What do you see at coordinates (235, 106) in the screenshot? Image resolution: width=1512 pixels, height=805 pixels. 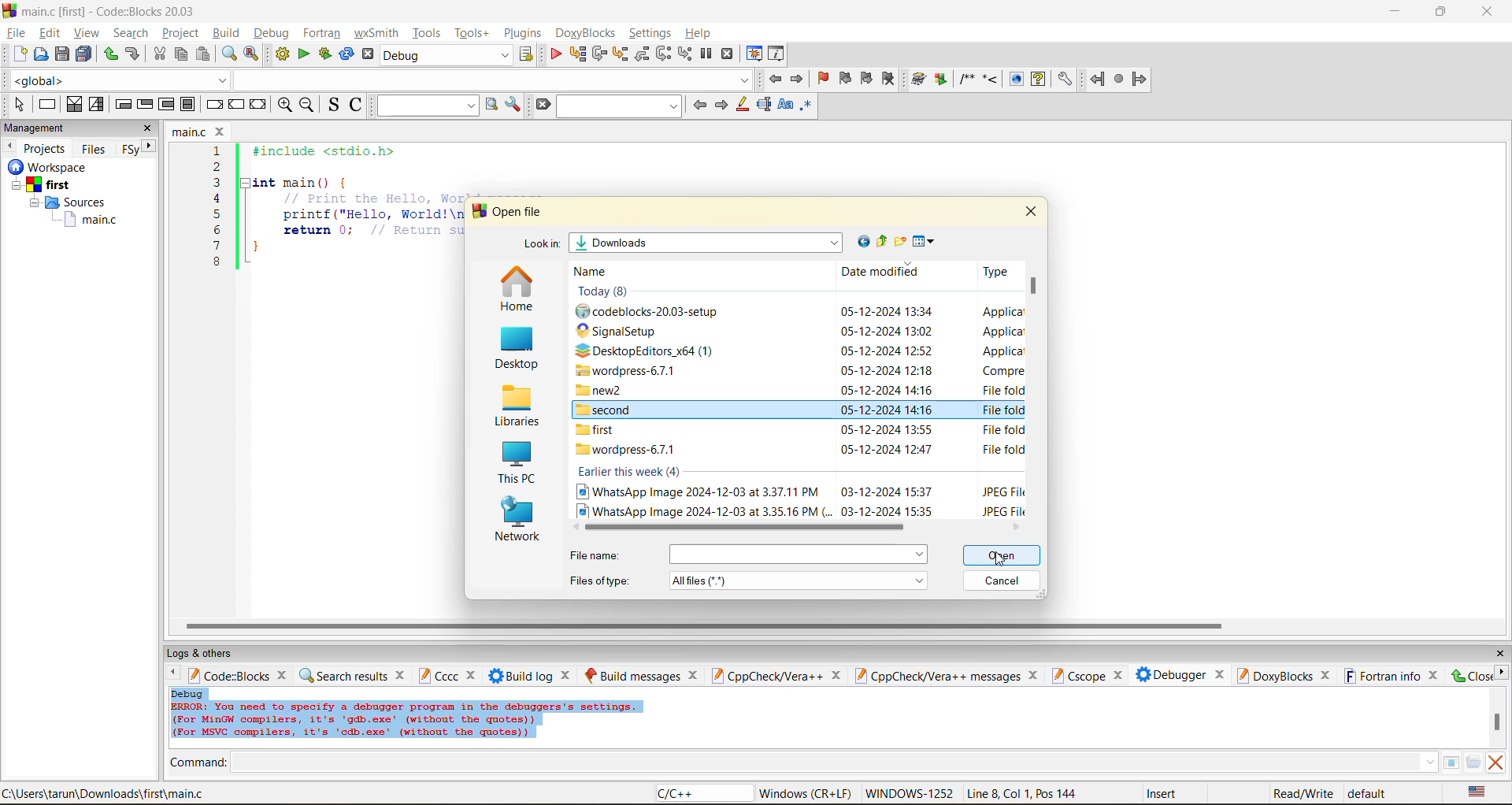 I see `continue instruction` at bounding box center [235, 106].